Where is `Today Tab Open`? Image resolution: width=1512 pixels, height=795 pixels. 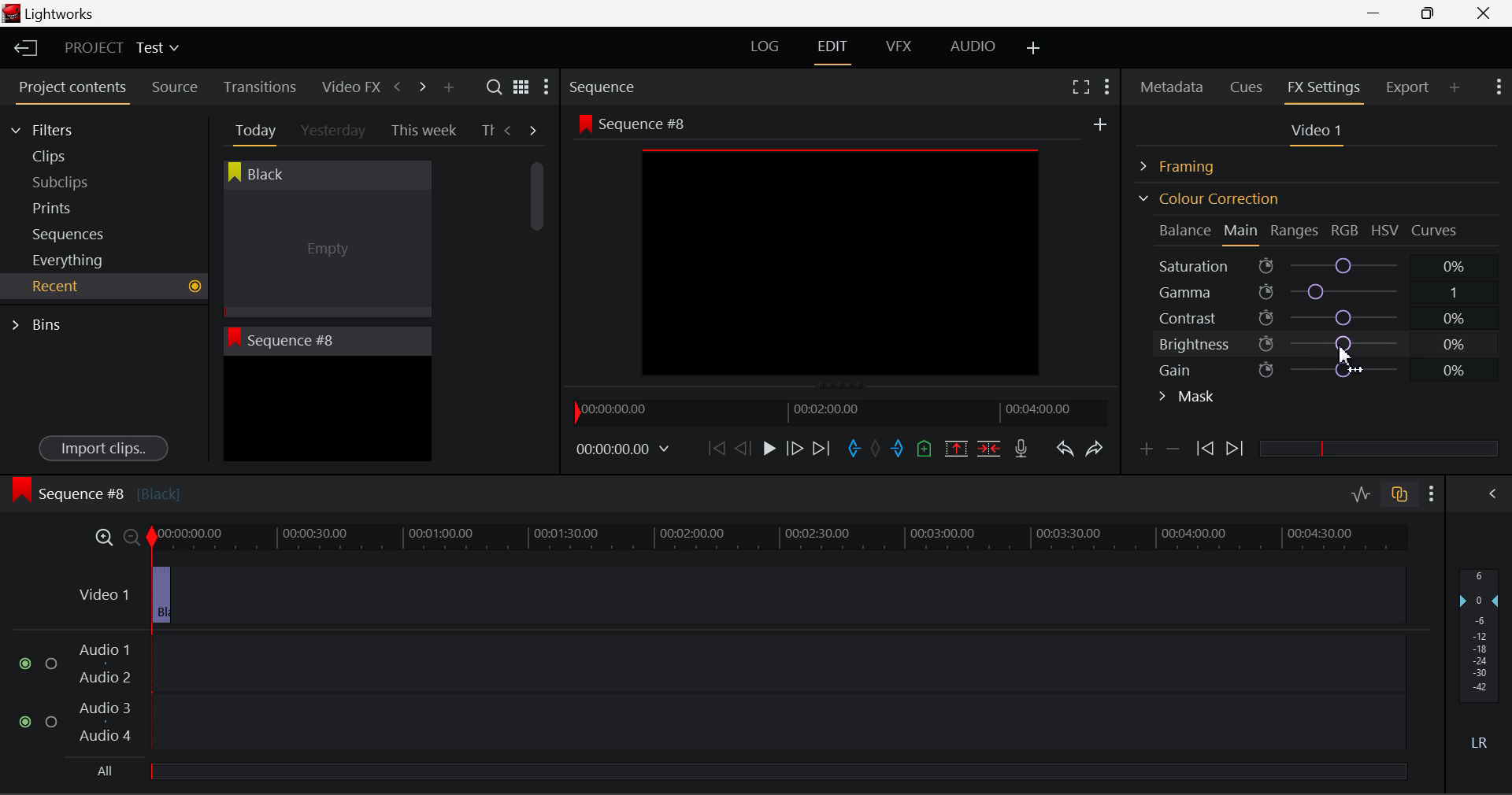
Today Tab Open is located at coordinates (252, 130).